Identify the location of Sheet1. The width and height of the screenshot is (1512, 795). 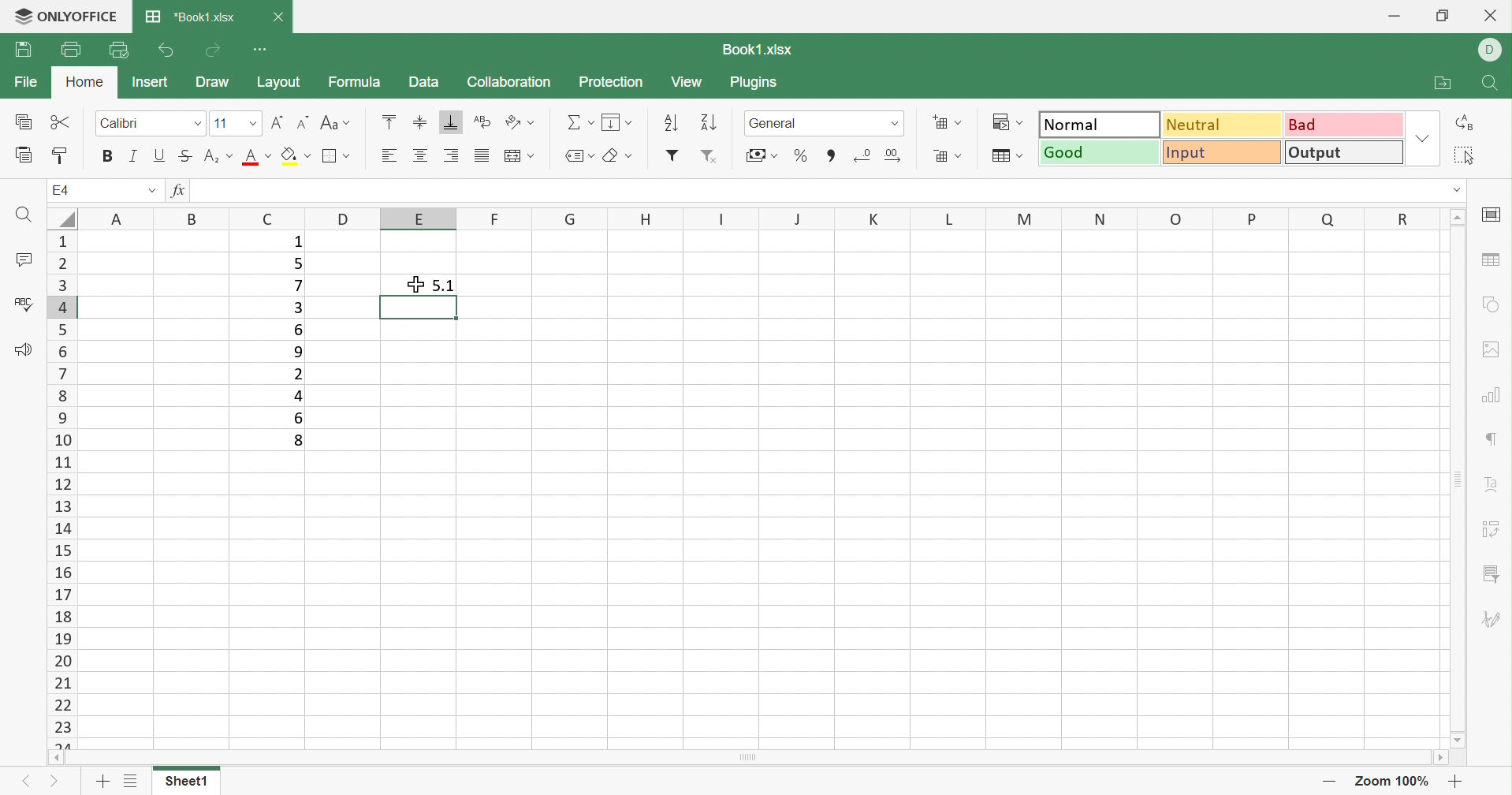
(188, 782).